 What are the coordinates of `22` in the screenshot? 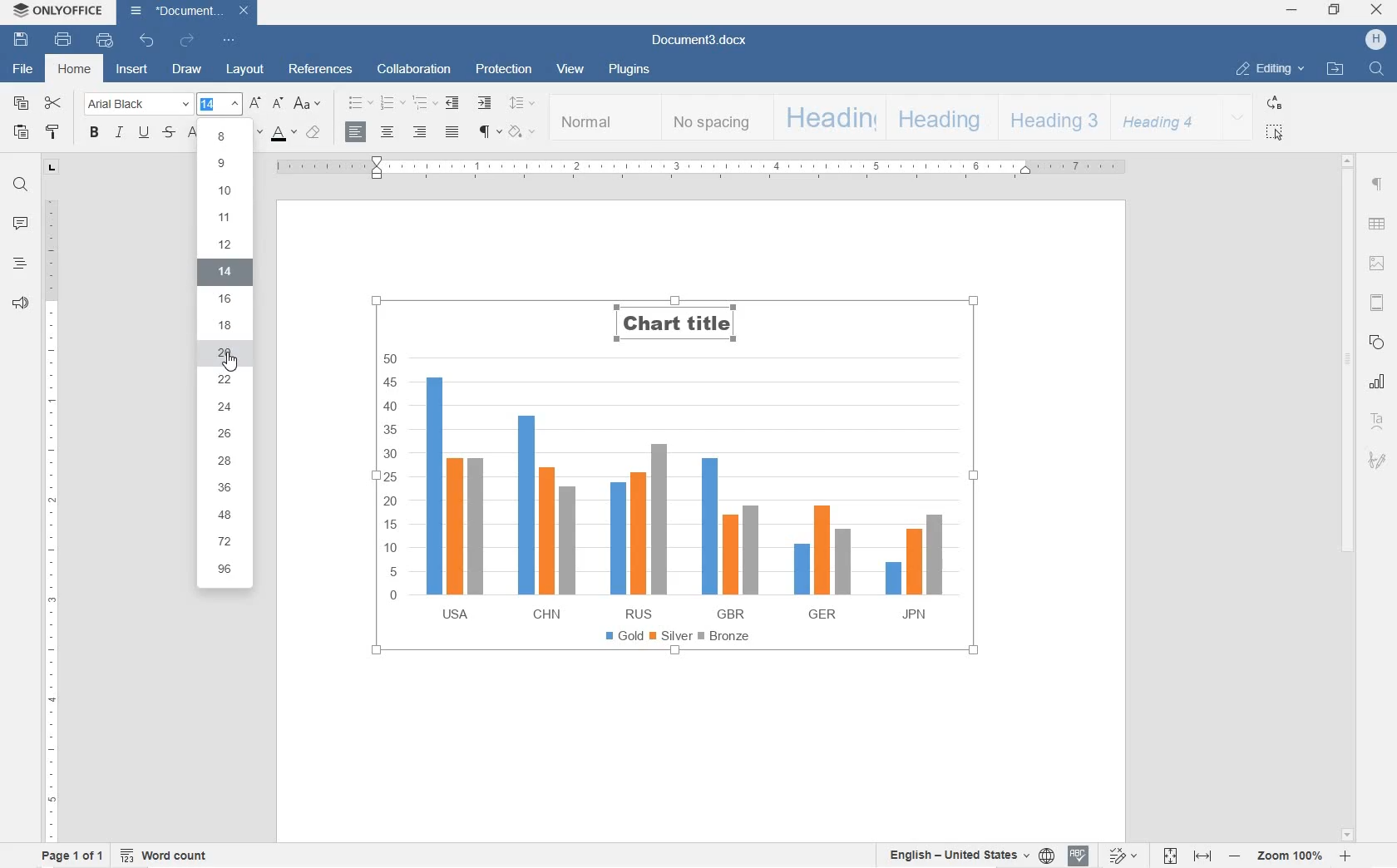 It's located at (224, 380).